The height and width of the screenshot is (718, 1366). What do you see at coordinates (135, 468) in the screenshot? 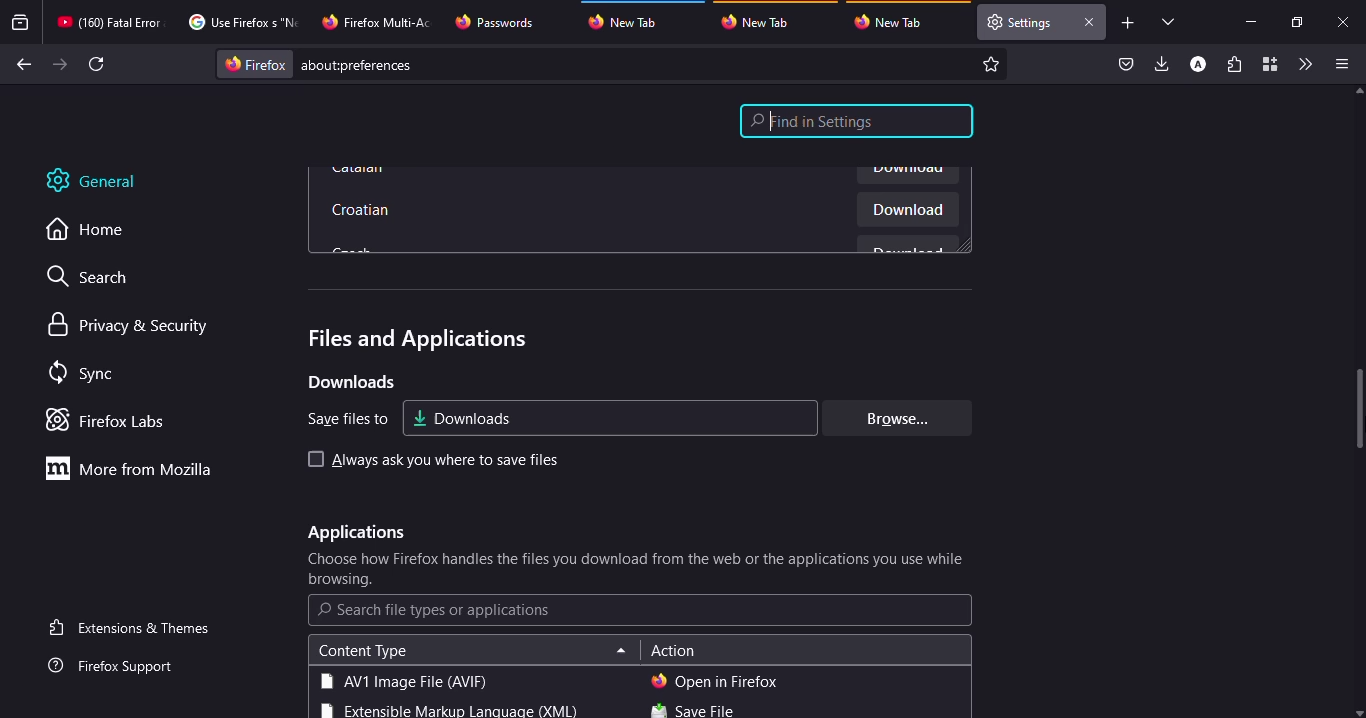
I see `more` at bounding box center [135, 468].